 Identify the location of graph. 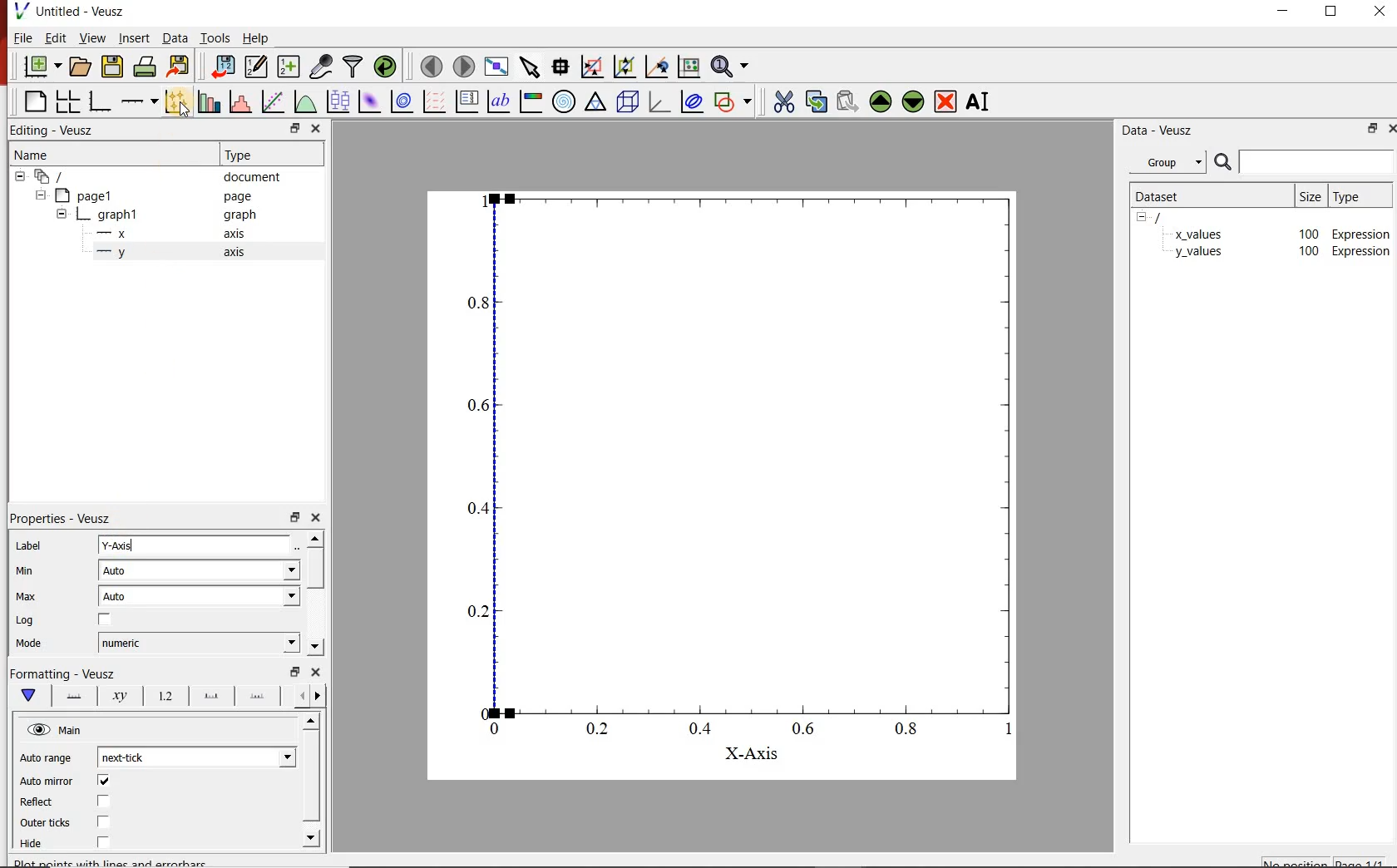
(239, 215).